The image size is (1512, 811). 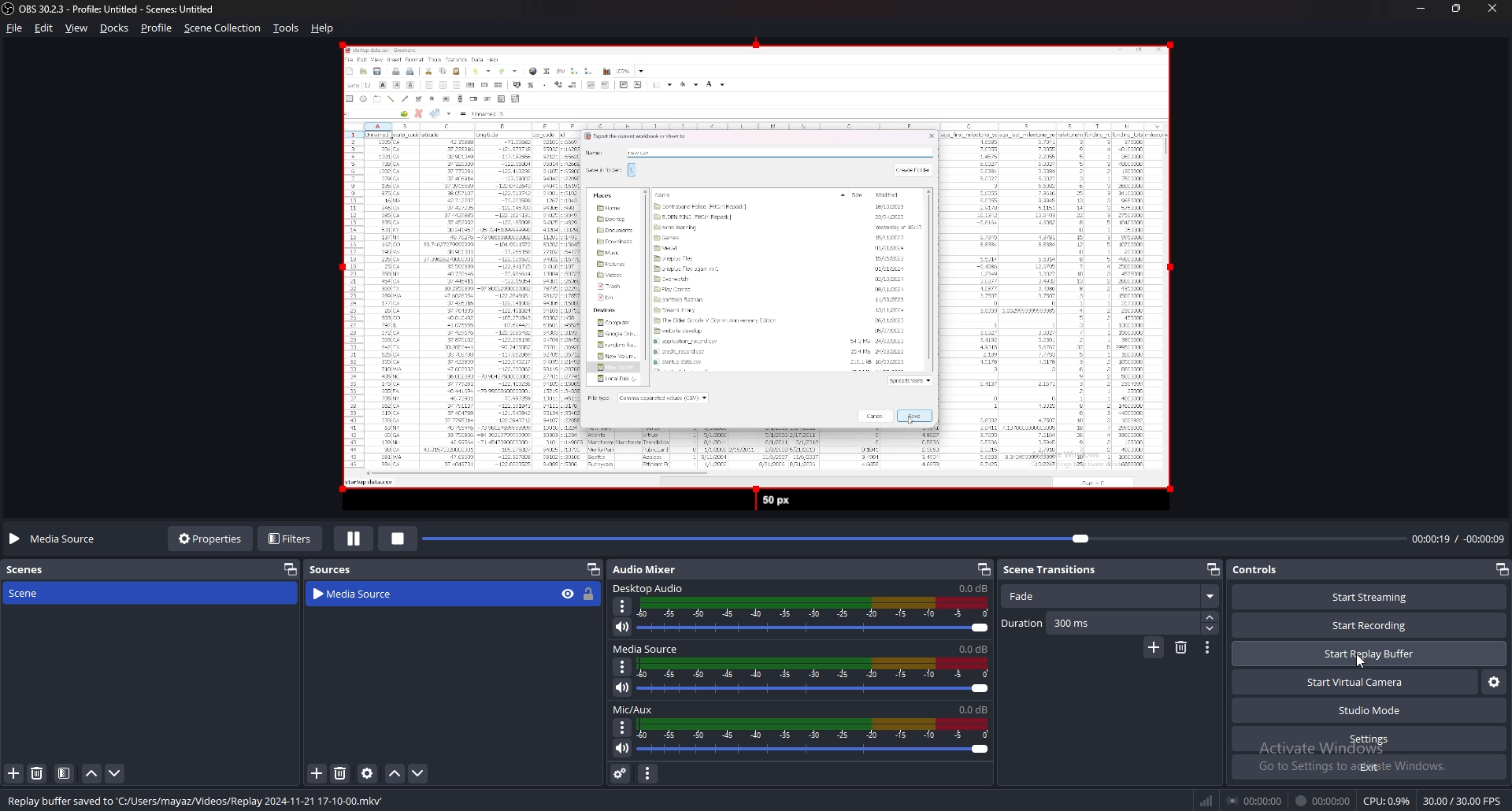 What do you see at coordinates (623, 687) in the screenshot?
I see `mute` at bounding box center [623, 687].